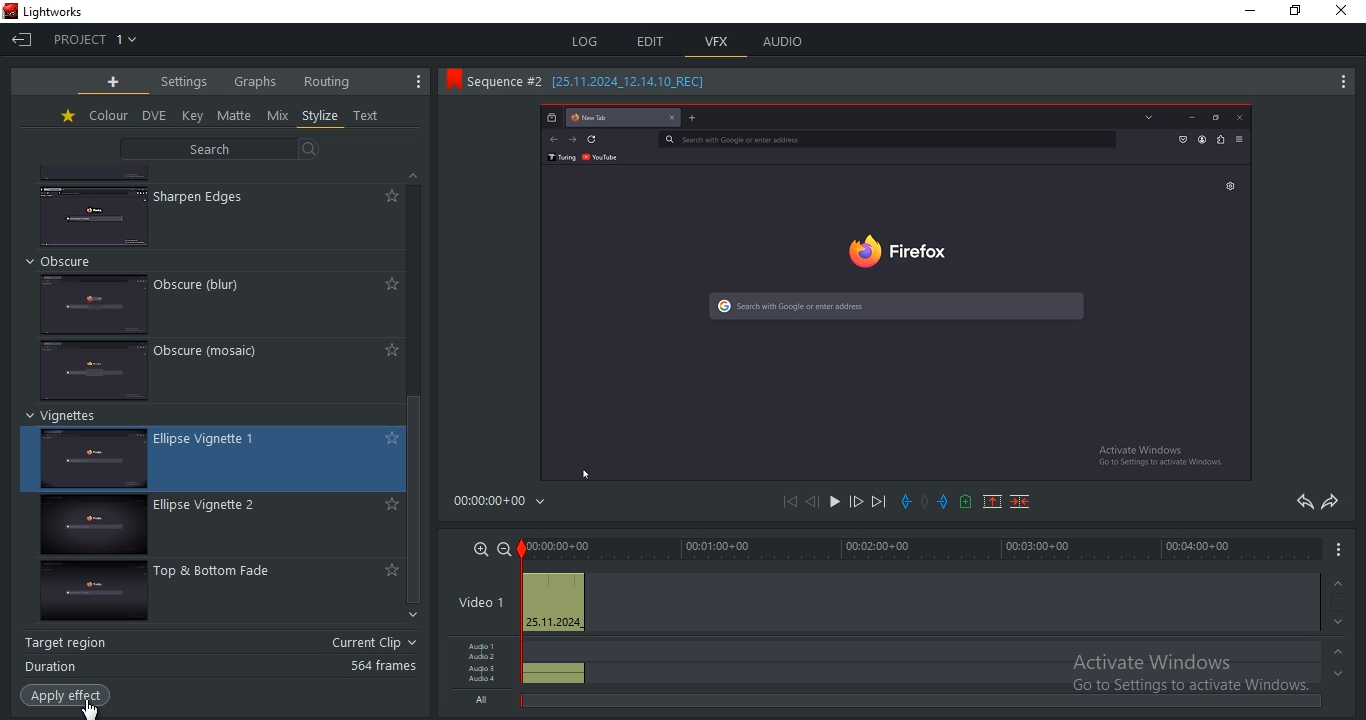  I want to click on stylize, so click(320, 116).